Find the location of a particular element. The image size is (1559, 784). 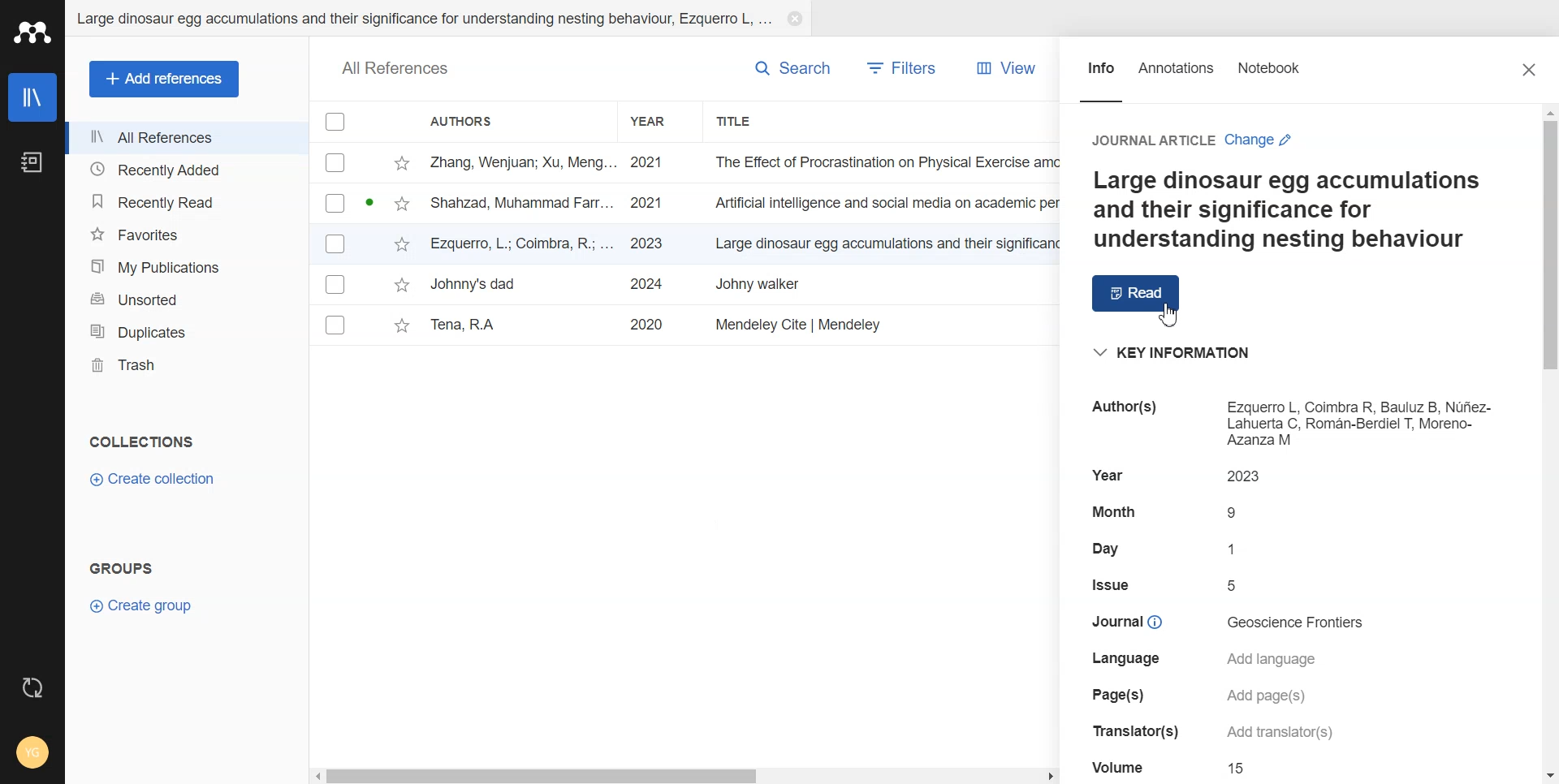

text is located at coordinates (1128, 731).